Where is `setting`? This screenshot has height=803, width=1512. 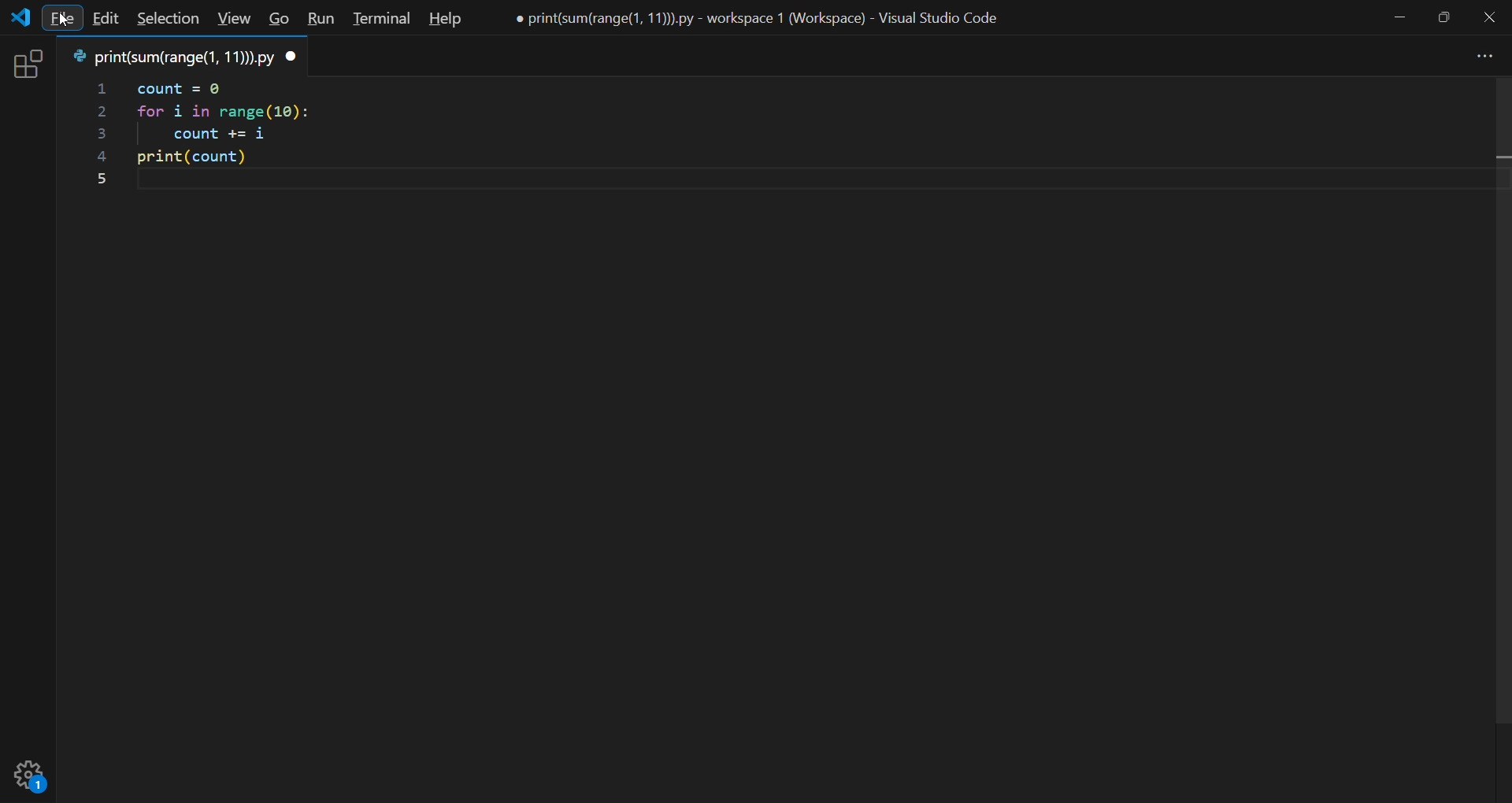 setting is located at coordinates (34, 775).